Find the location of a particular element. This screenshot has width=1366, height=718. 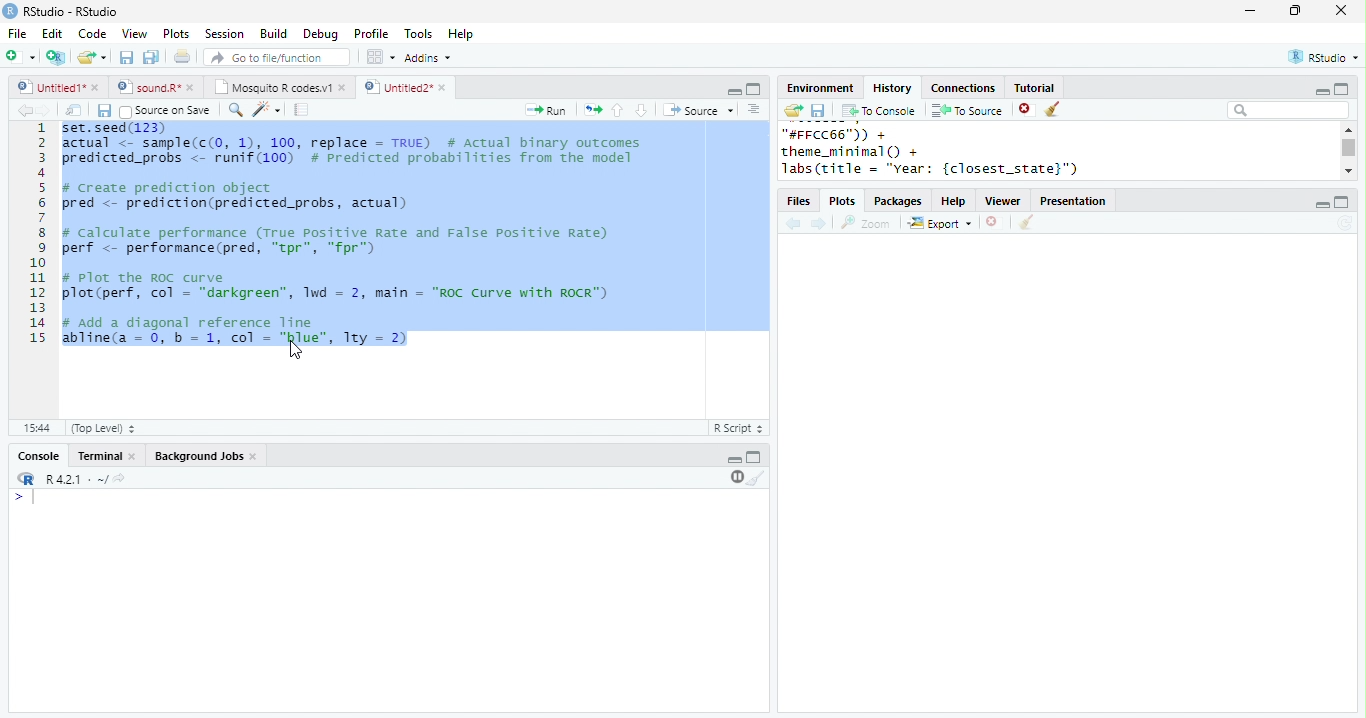

scroll up is located at coordinates (1347, 129).